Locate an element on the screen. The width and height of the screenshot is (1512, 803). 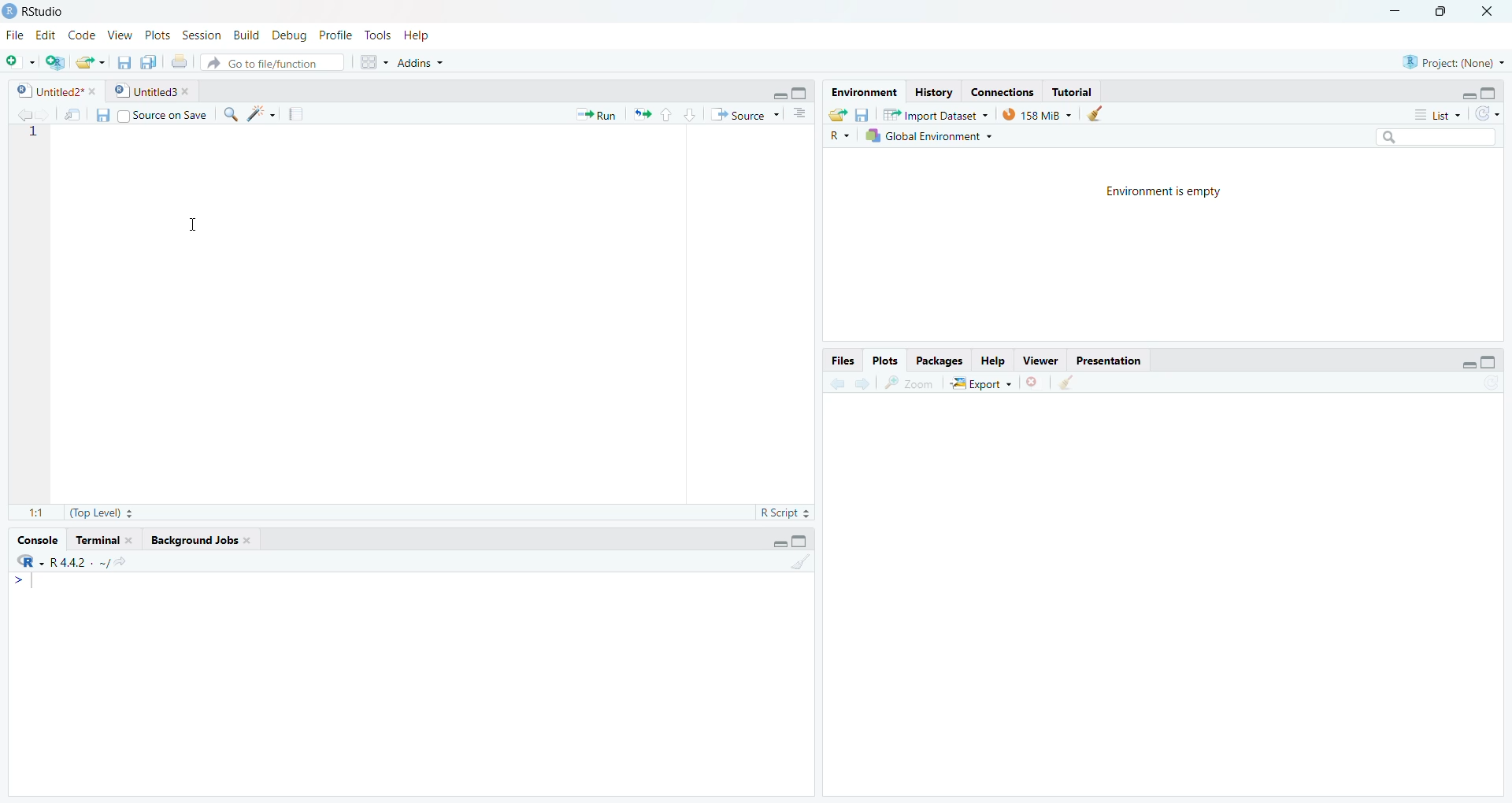
RStudio is located at coordinates (42, 11).